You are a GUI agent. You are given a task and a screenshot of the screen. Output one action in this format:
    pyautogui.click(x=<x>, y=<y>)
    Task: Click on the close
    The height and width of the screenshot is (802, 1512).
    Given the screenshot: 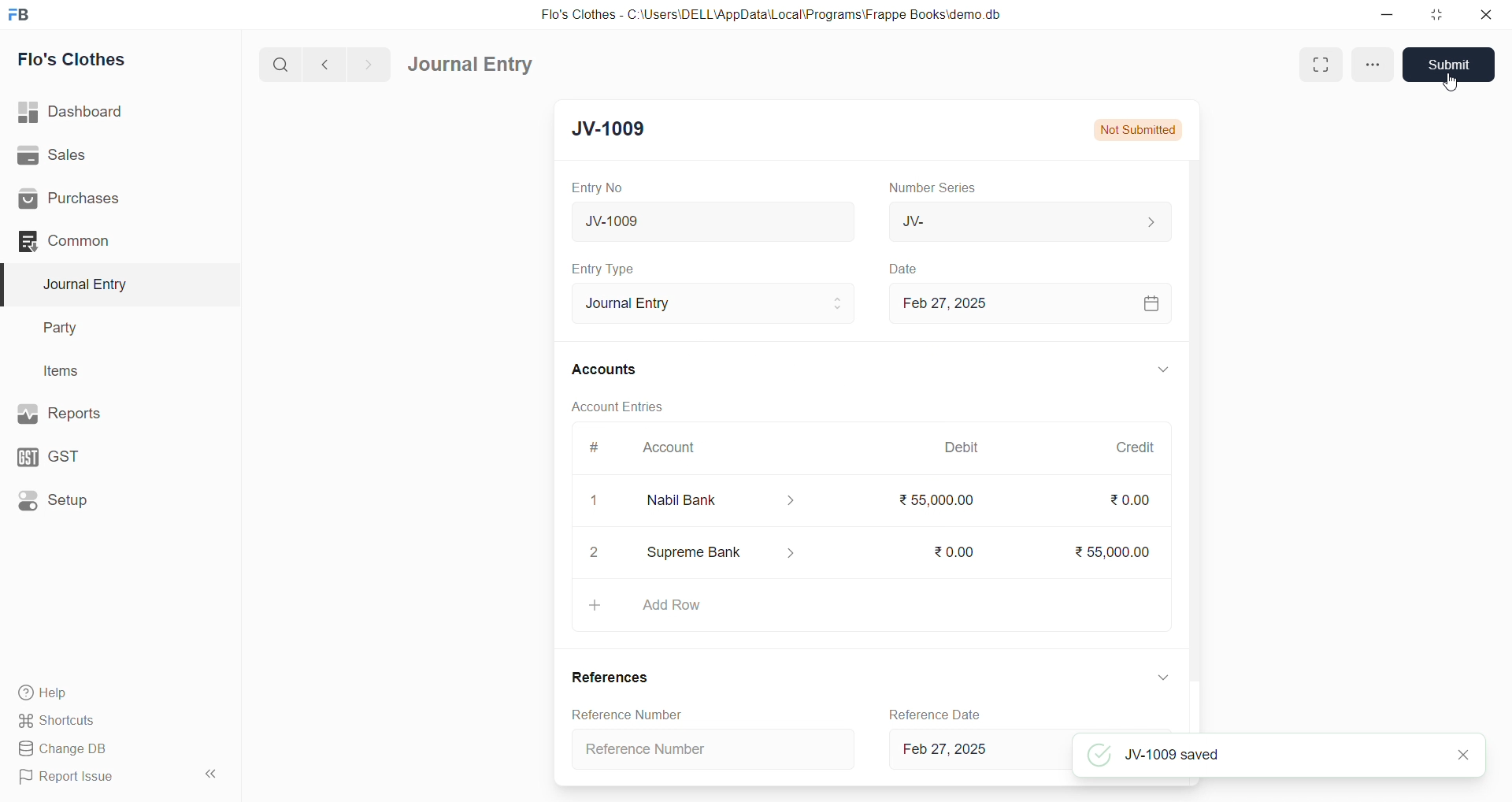 What is the action you would take?
    pyautogui.click(x=1488, y=14)
    